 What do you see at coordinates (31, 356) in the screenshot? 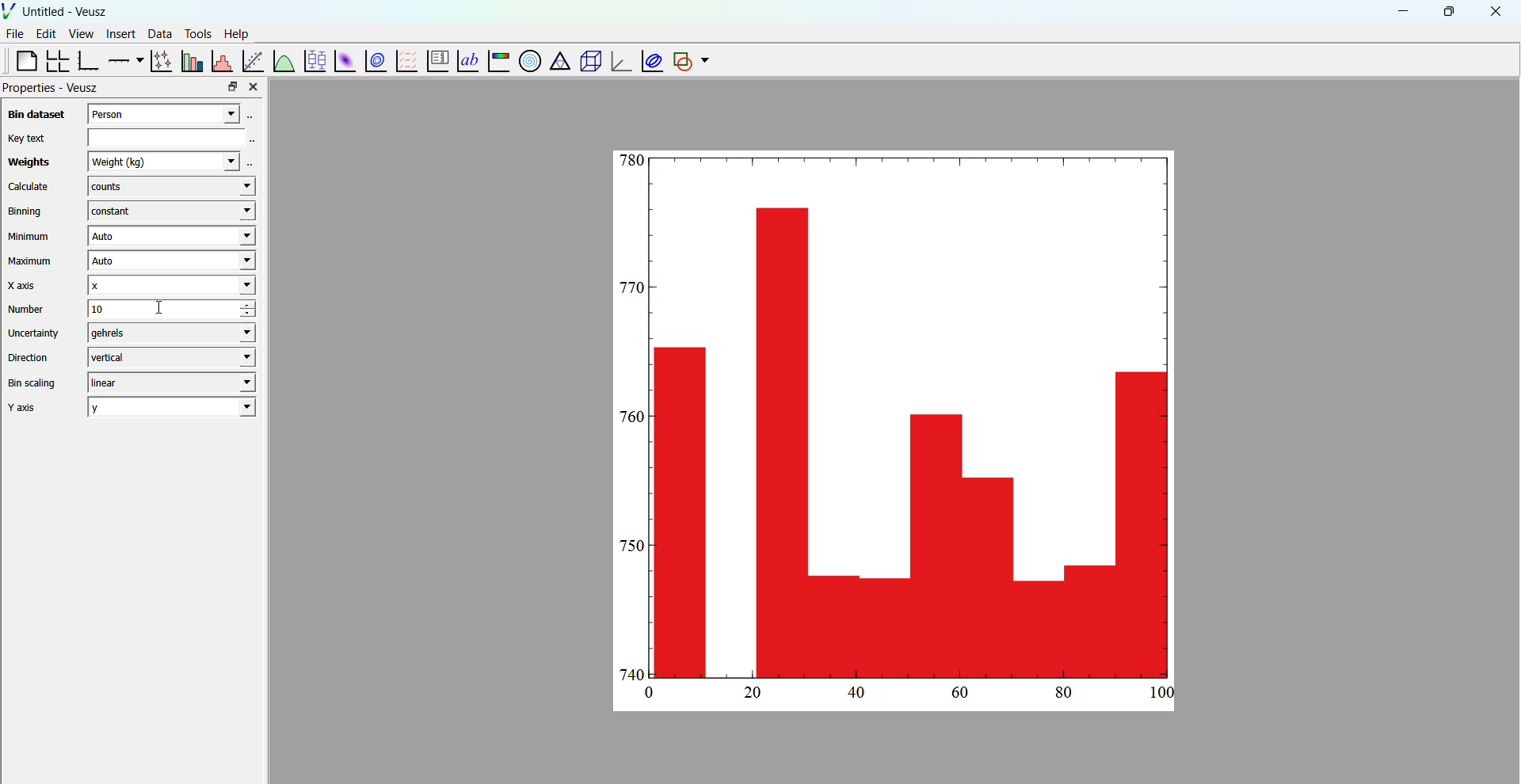
I see `Direction` at bounding box center [31, 356].